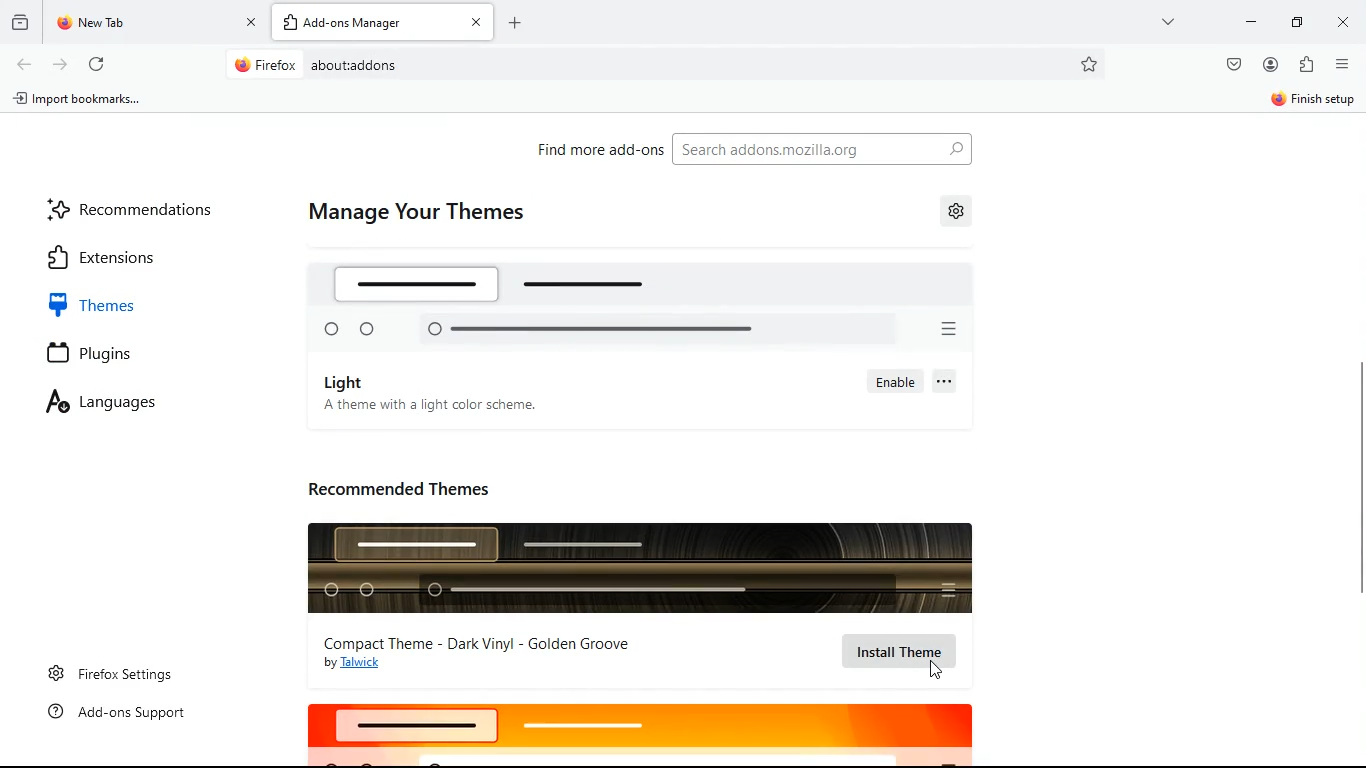  What do you see at coordinates (98, 66) in the screenshot?
I see `refresh` at bounding box center [98, 66].